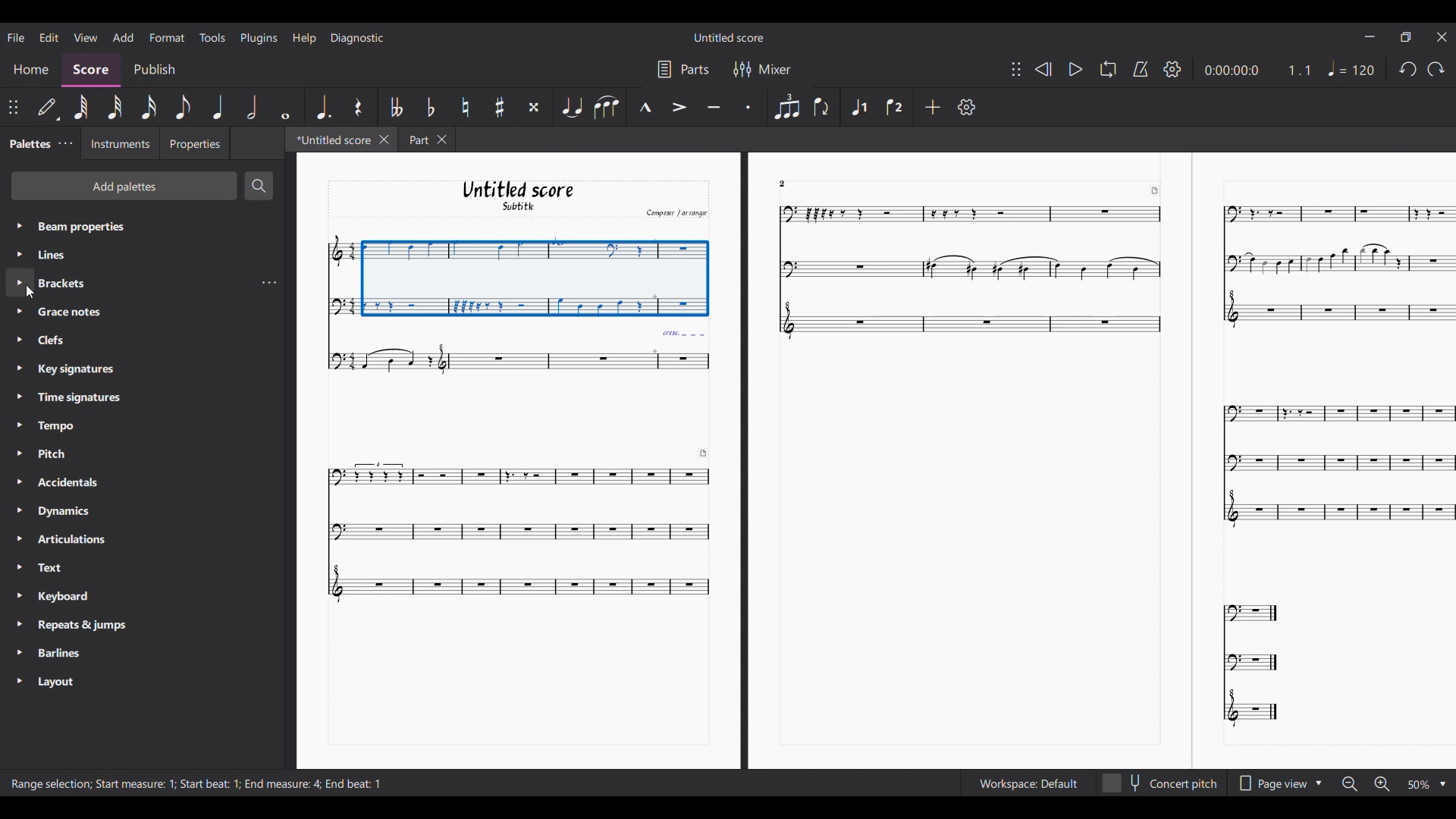 The width and height of the screenshot is (1456, 819). I want to click on Toggle natural, so click(465, 107).